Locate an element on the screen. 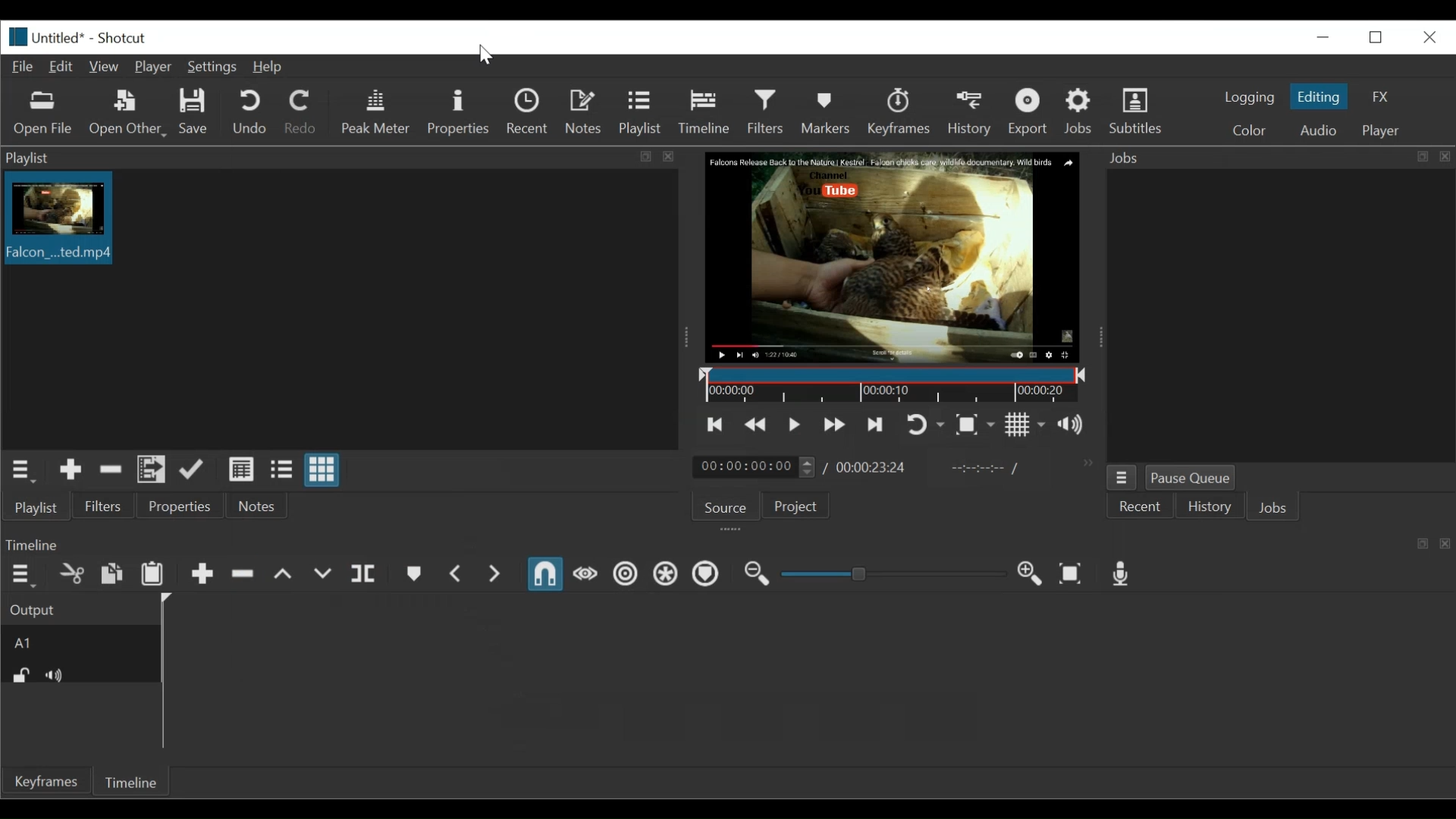 Image resolution: width=1456 pixels, height=819 pixels. Save is located at coordinates (193, 113).